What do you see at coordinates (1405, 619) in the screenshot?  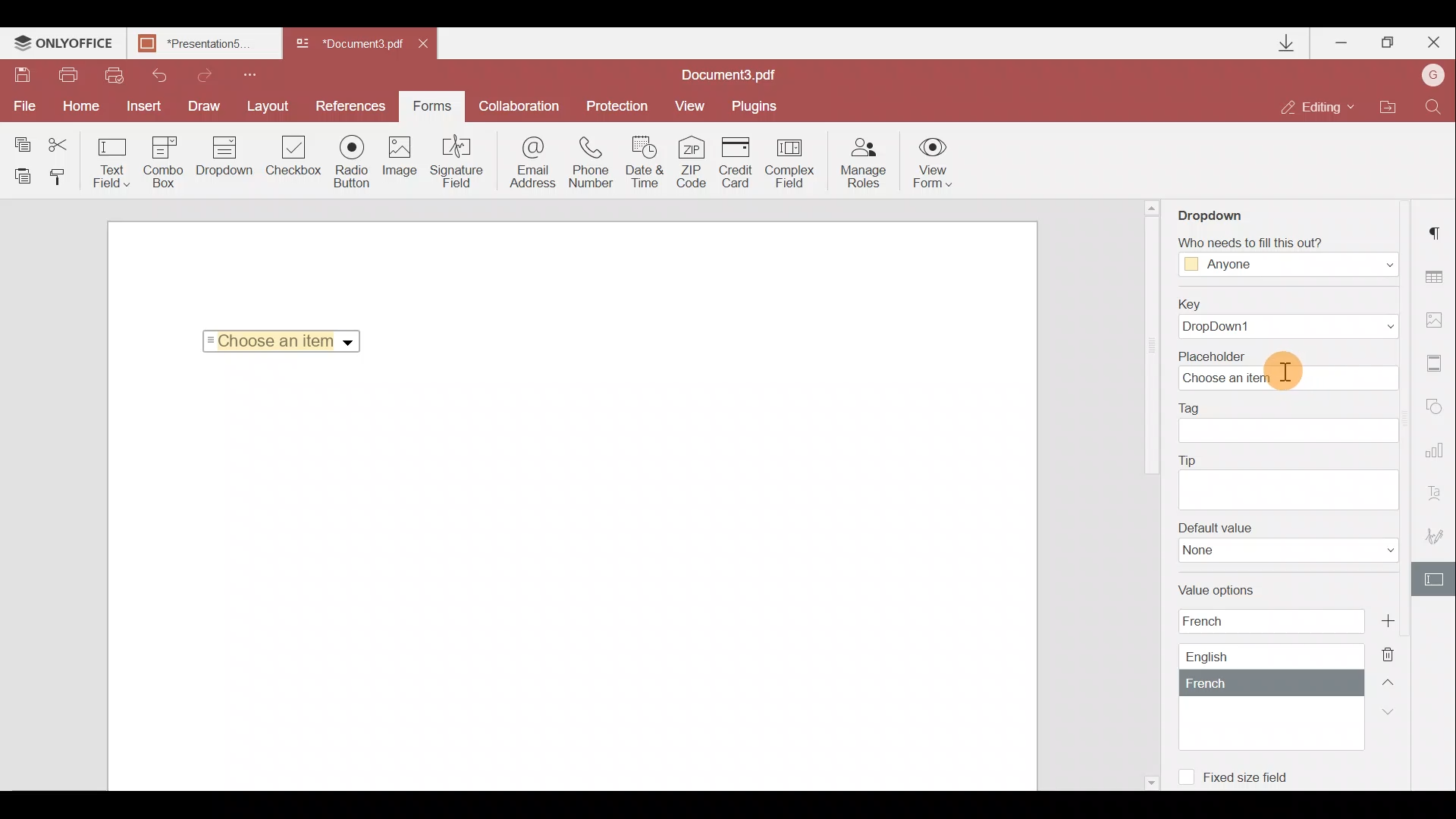 I see `Add new value` at bounding box center [1405, 619].